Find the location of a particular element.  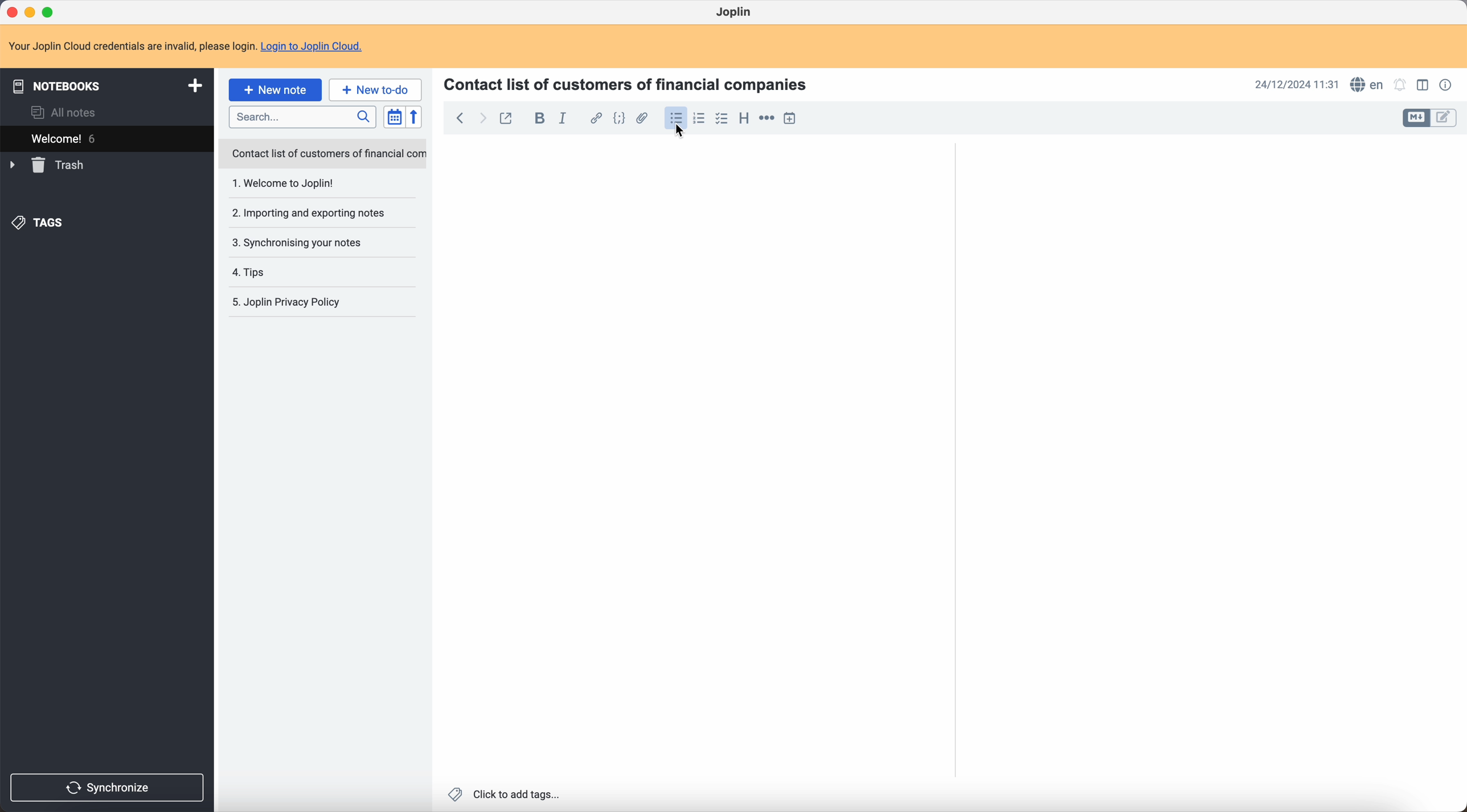

body text is located at coordinates (702, 458).